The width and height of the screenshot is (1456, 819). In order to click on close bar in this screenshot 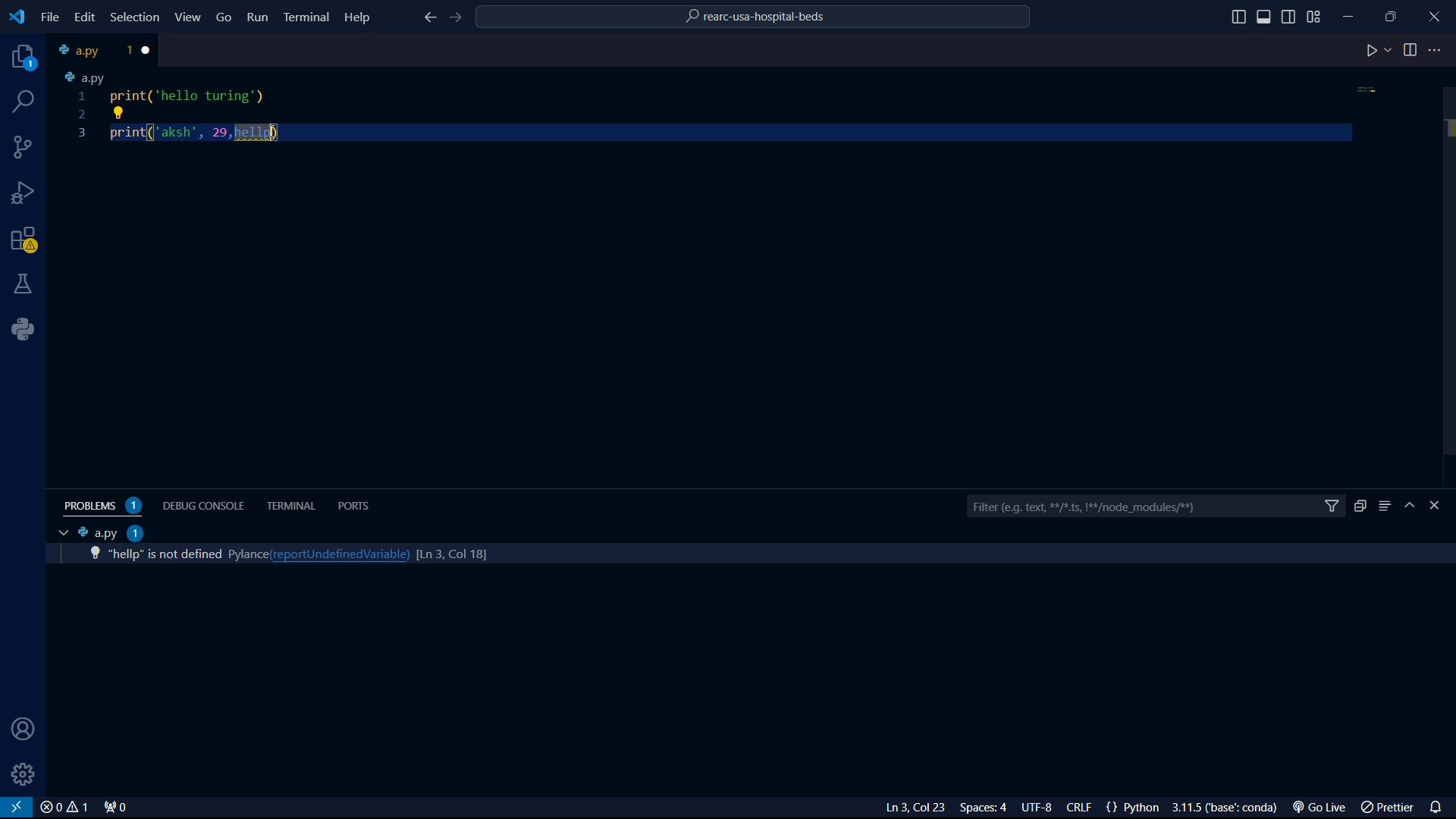, I will do `click(1442, 506)`.